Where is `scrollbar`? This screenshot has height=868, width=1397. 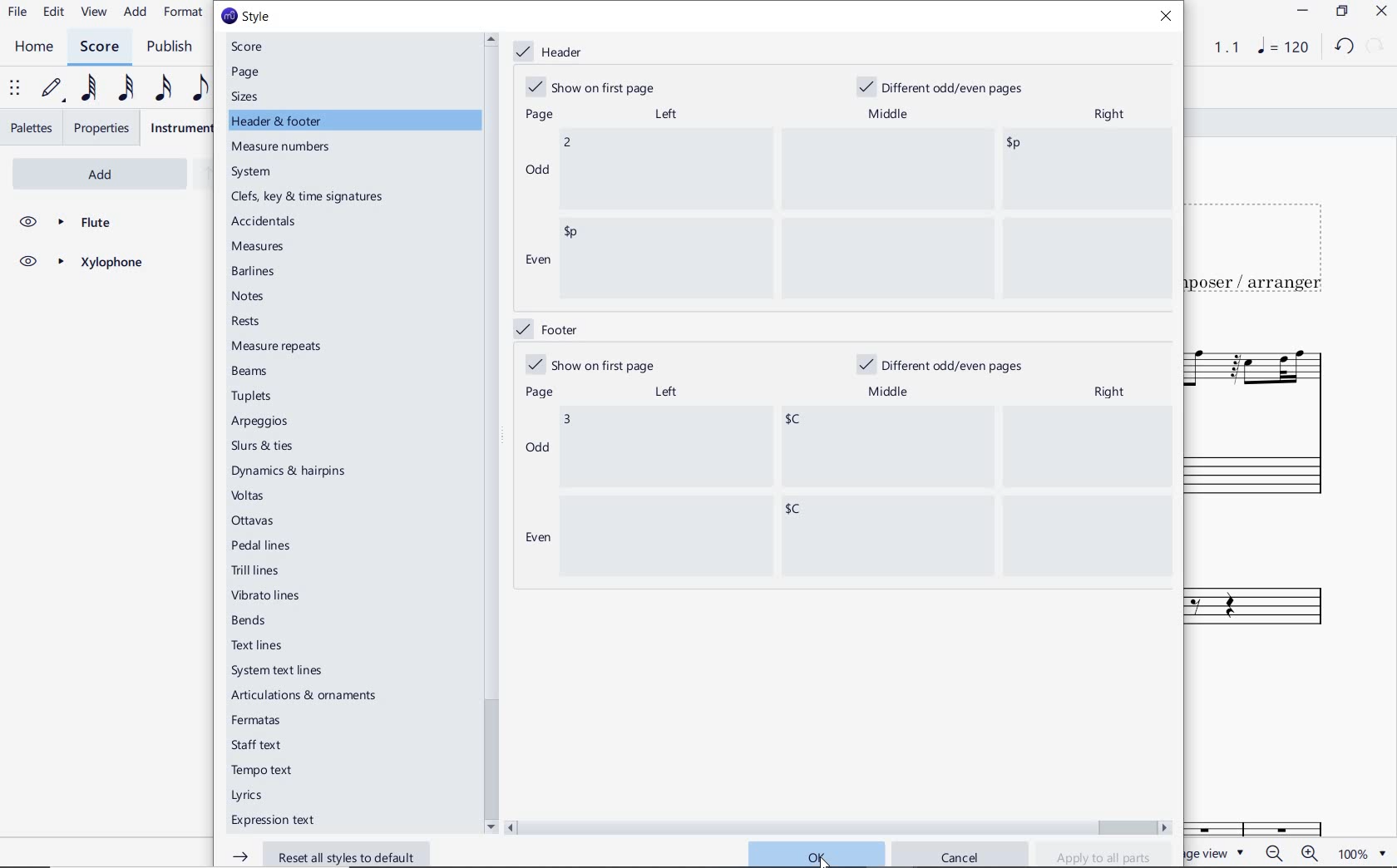
scrollbar is located at coordinates (839, 826).